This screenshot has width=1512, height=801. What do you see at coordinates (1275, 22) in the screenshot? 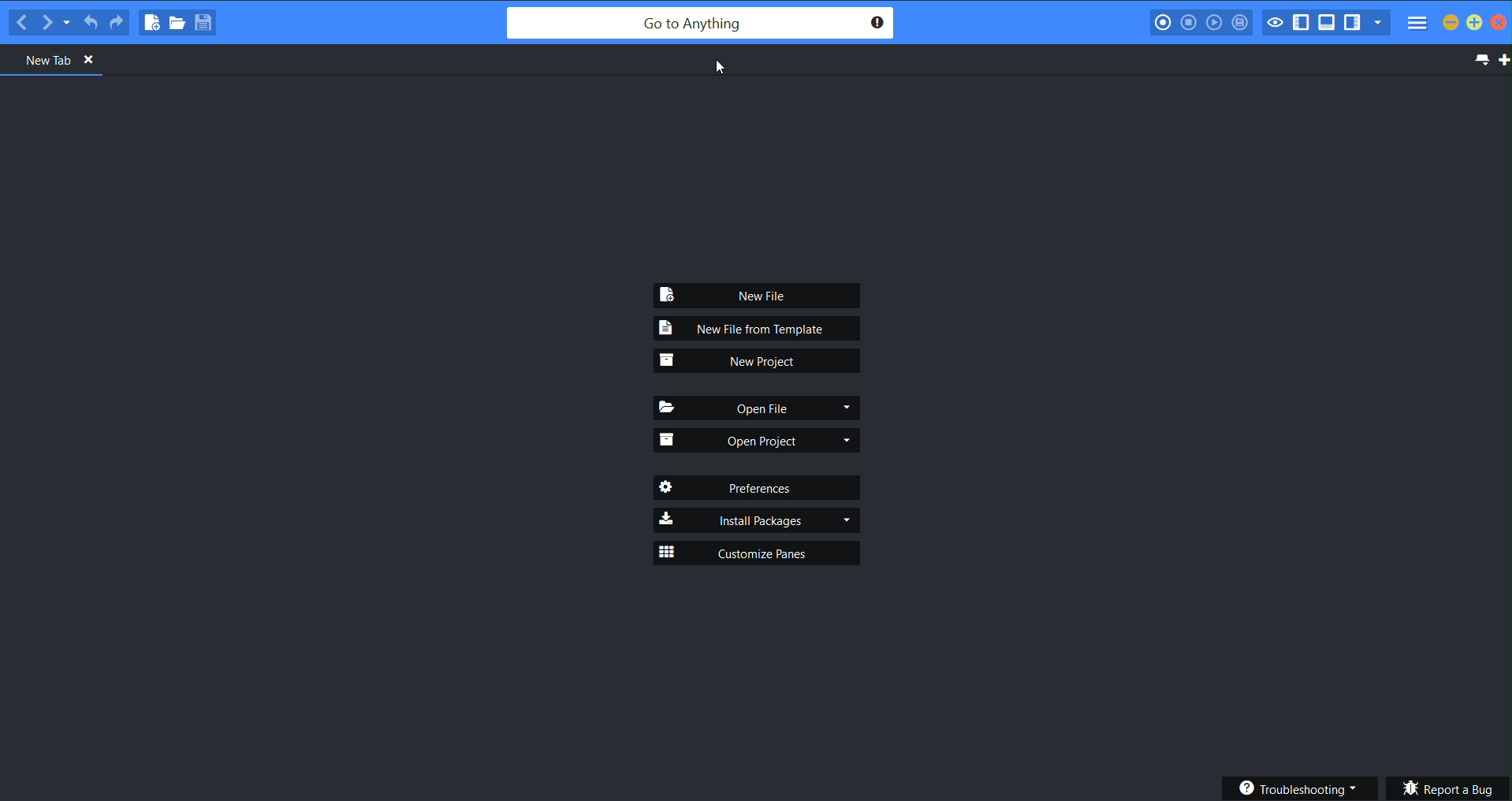
I see `toggle focus mode` at bounding box center [1275, 22].